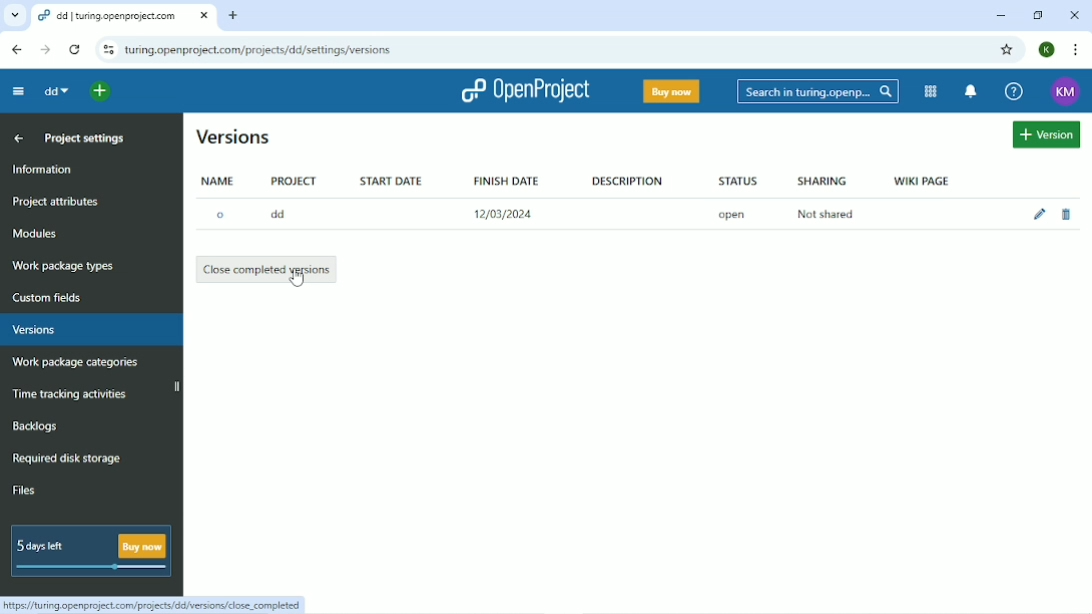 The width and height of the screenshot is (1092, 614). Describe the element at coordinates (259, 51) in the screenshot. I see `Site` at that location.